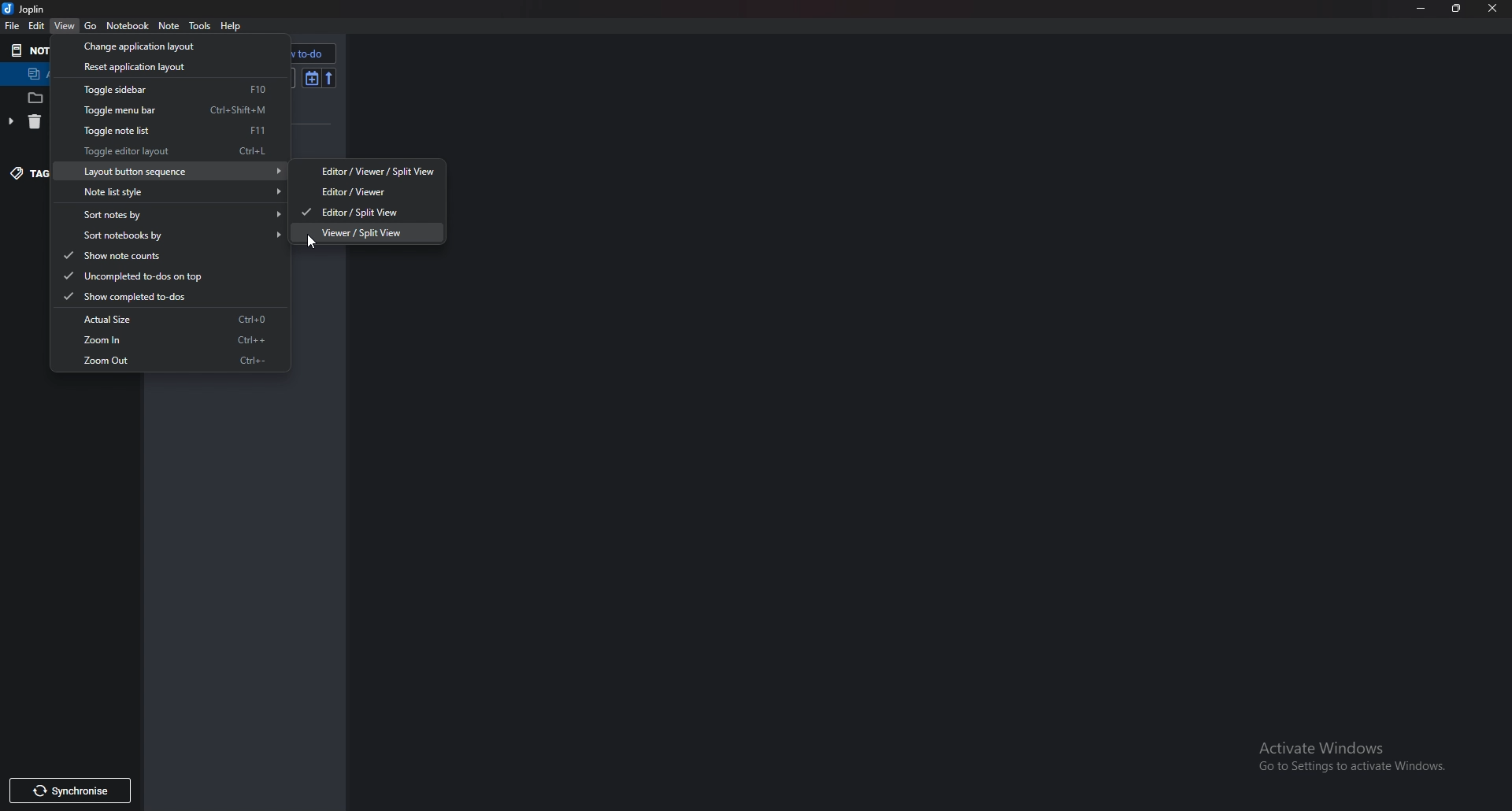 The height and width of the screenshot is (811, 1512). What do you see at coordinates (169, 25) in the screenshot?
I see `note` at bounding box center [169, 25].